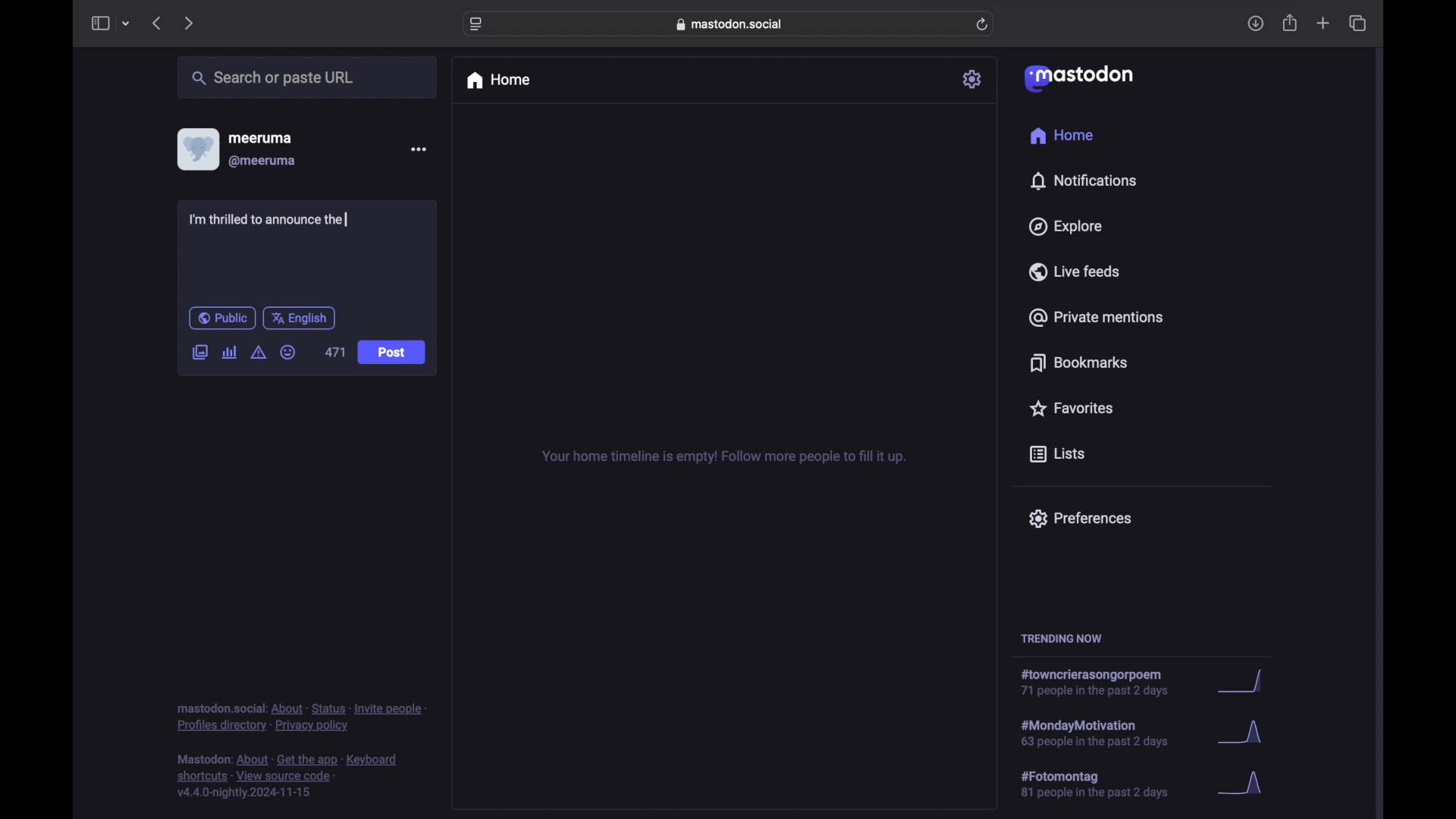 This screenshot has width=1456, height=819. I want to click on hashtag trend, so click(1105, 783).